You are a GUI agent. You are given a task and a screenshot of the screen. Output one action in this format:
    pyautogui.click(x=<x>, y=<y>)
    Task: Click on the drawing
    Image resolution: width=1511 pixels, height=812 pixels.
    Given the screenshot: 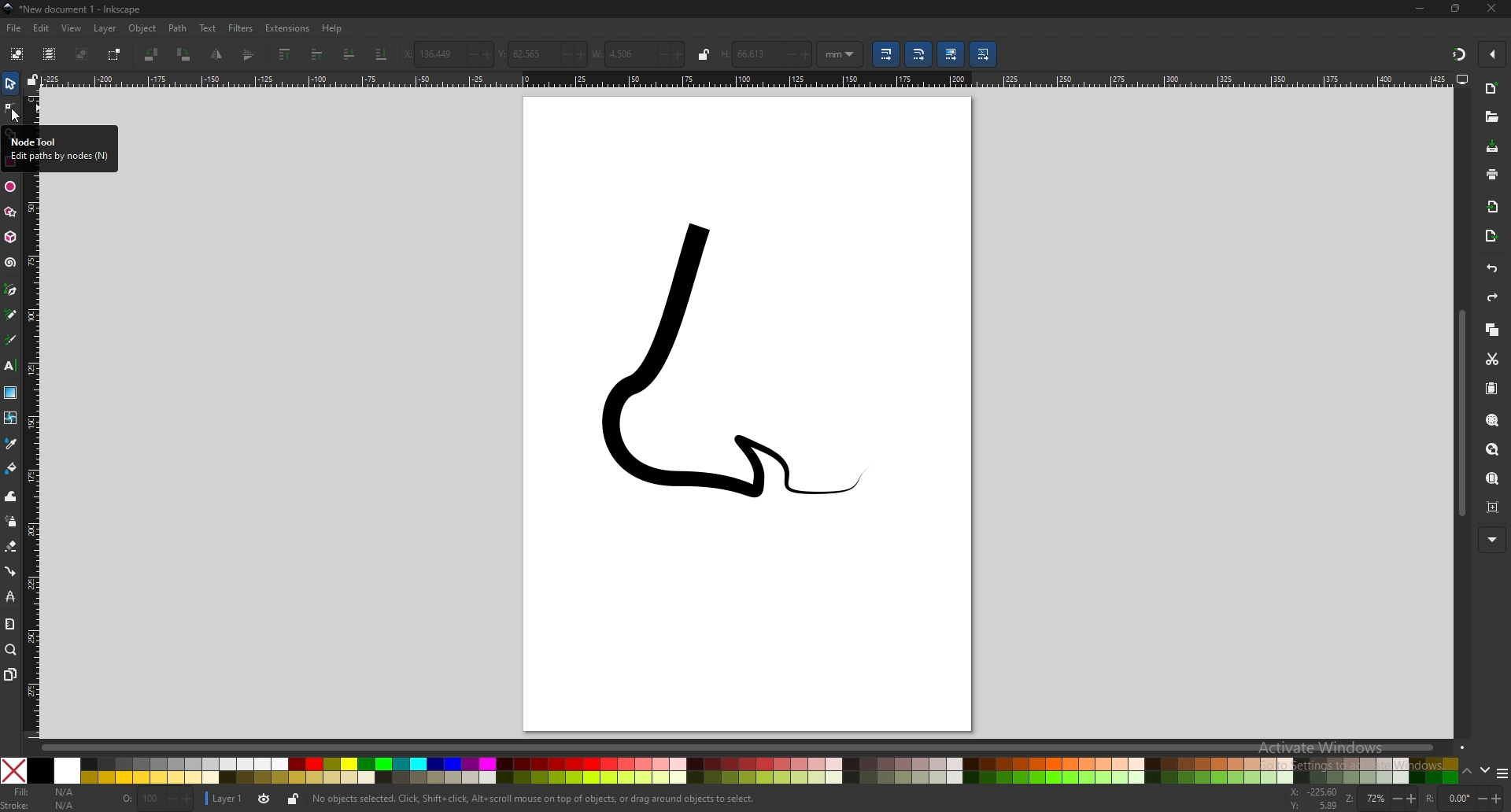 What is the action you would take?
    pyautogui.click(x=744, y=358)
    